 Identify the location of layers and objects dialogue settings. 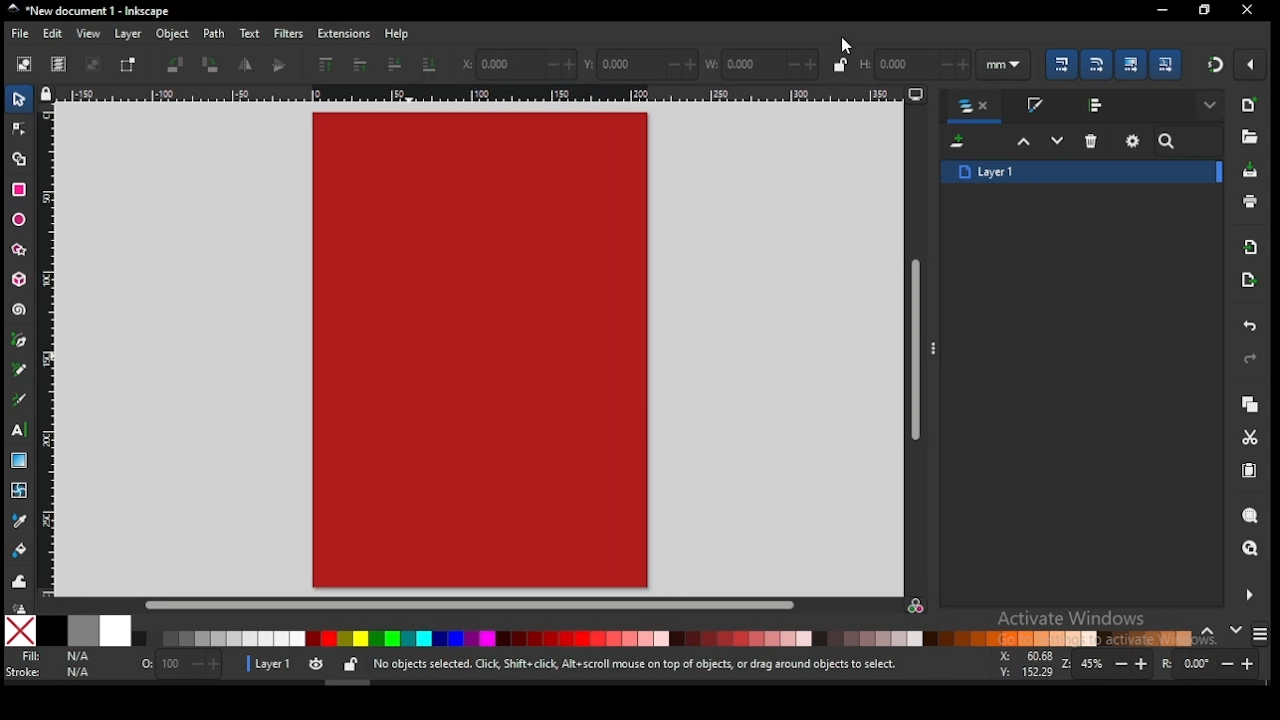
(1133, 141).